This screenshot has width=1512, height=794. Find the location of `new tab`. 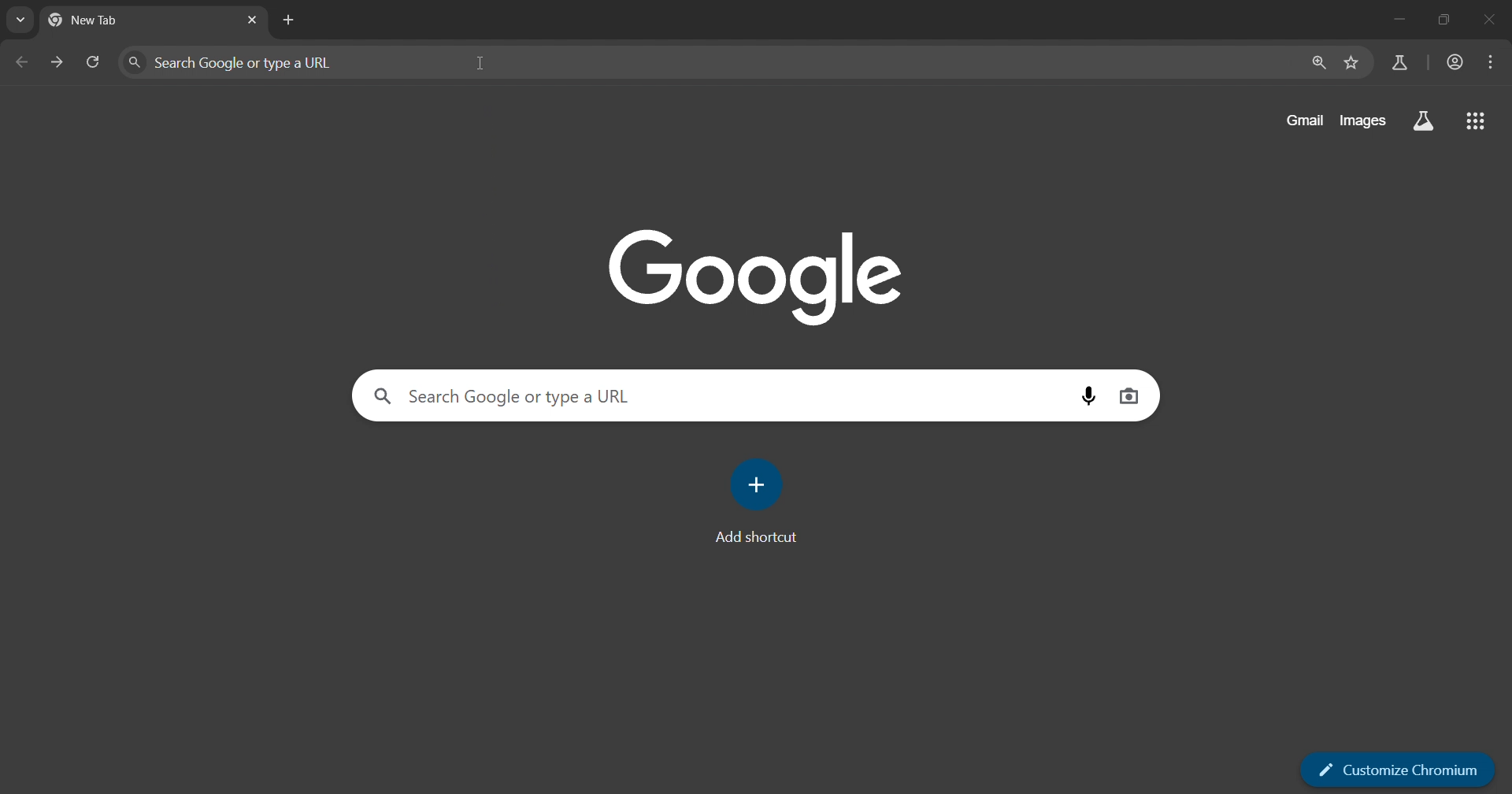

new tab is located at coordinates (292, 21).